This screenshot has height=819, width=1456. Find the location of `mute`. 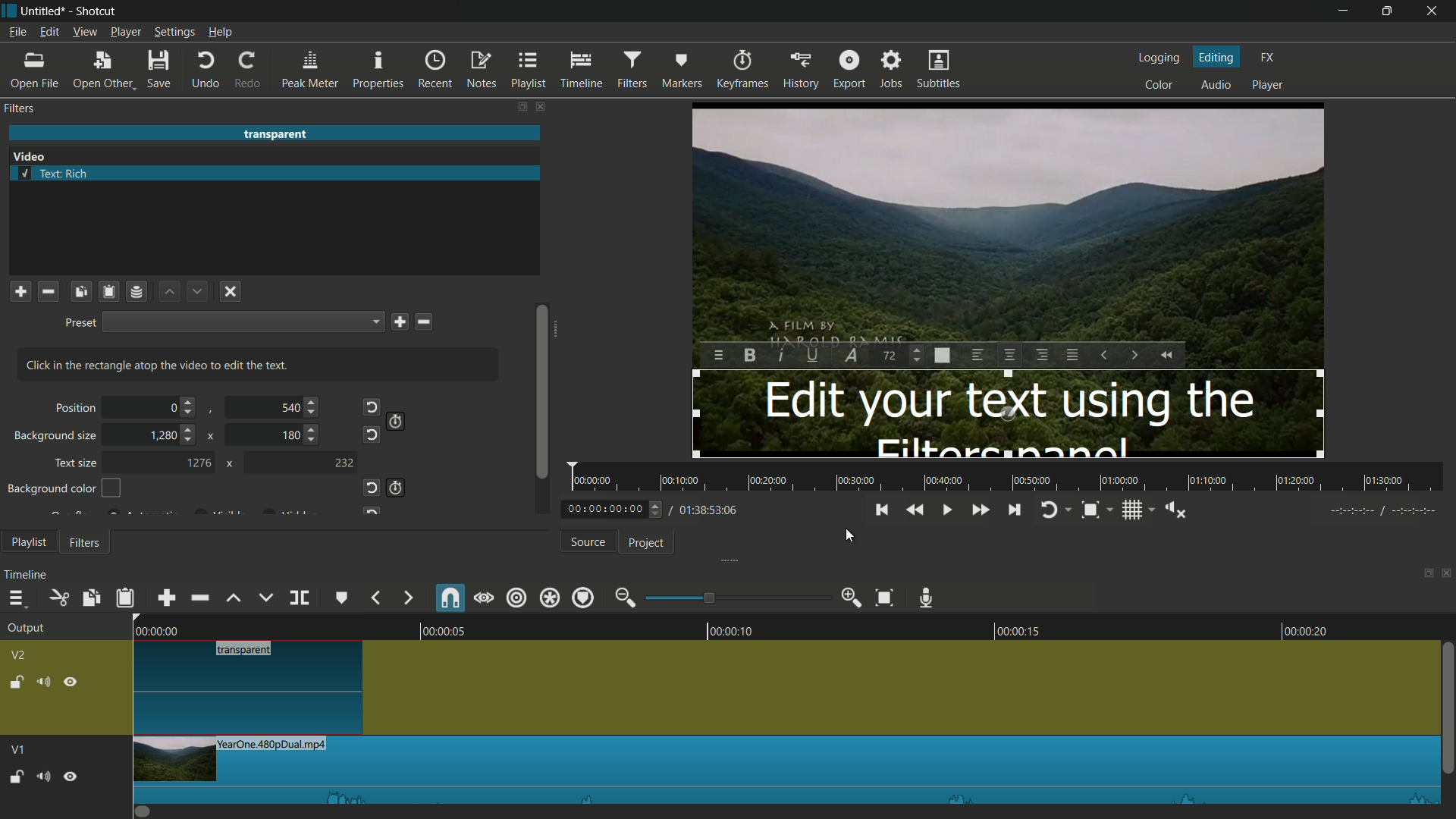

mute is located at coordinates (42, 681).